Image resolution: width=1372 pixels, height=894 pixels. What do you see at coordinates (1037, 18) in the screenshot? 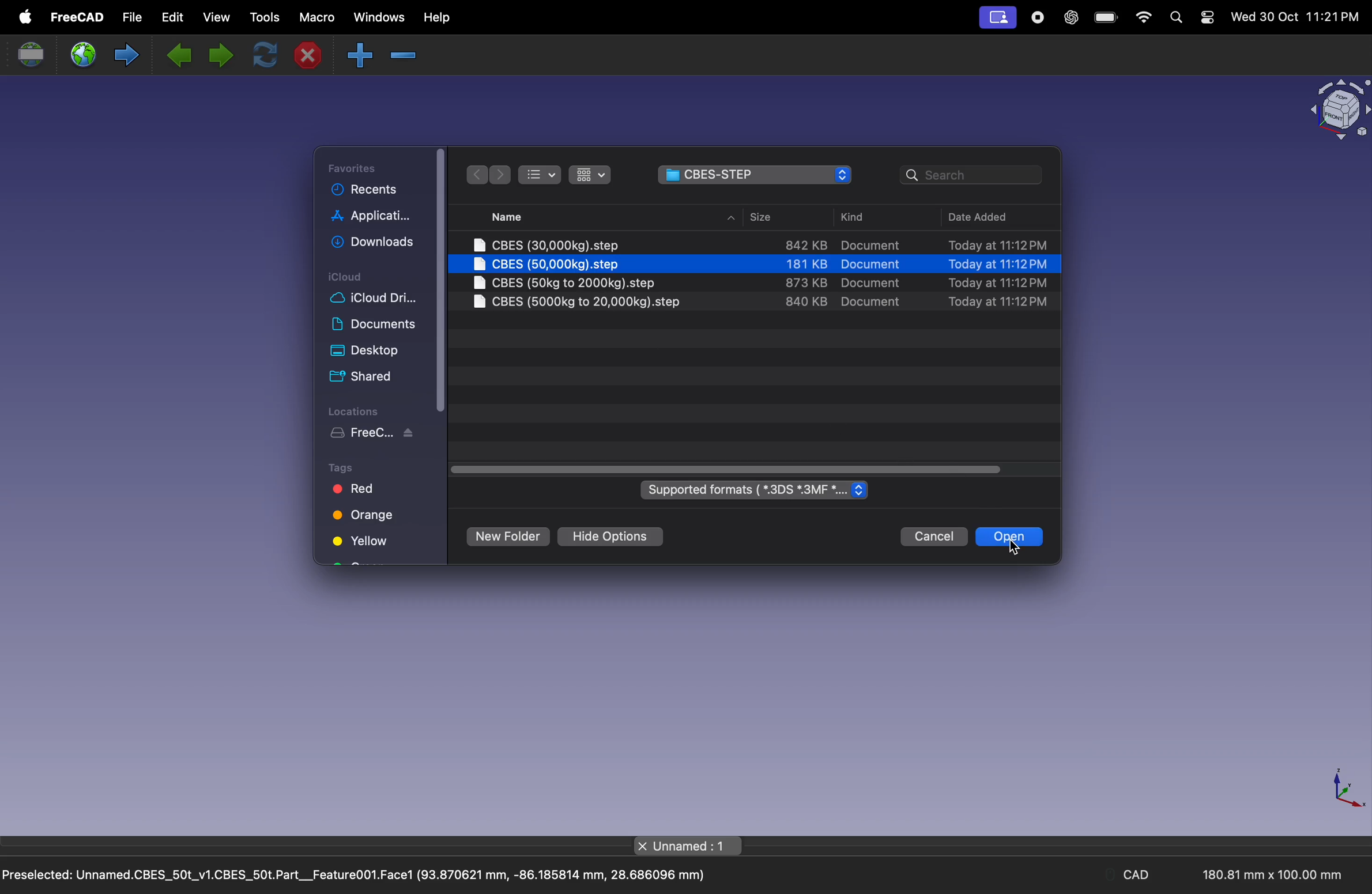
I see `record` at bounding box center [1037, 18].